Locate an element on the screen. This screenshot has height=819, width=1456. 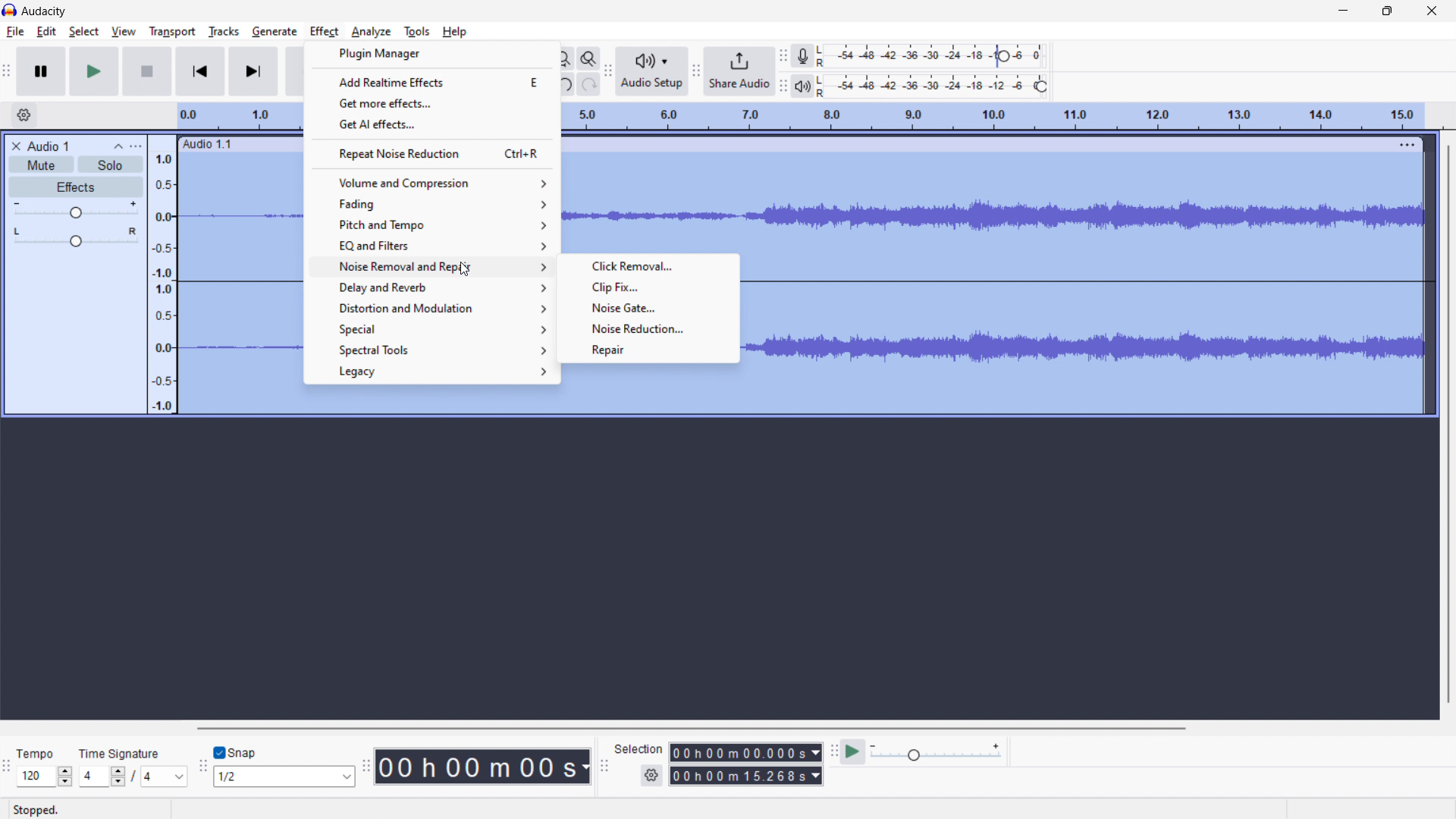
playback meter is located at coordinates (940, 86).